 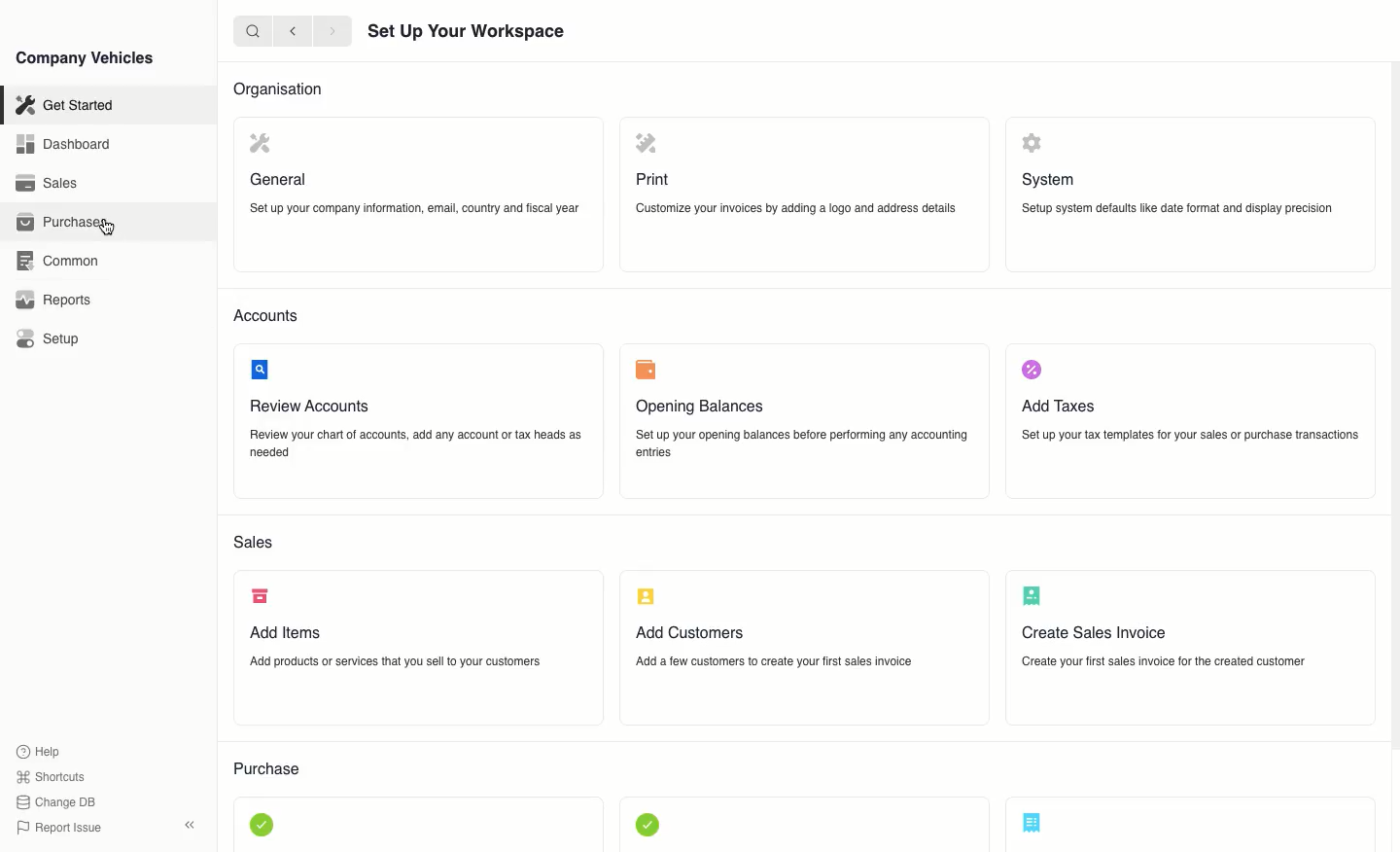 What do you see at coordinates (1178, 209) in the screenshot?
I see `Setup system defaults like date format and display precision` at bounding box center [1178, 209].